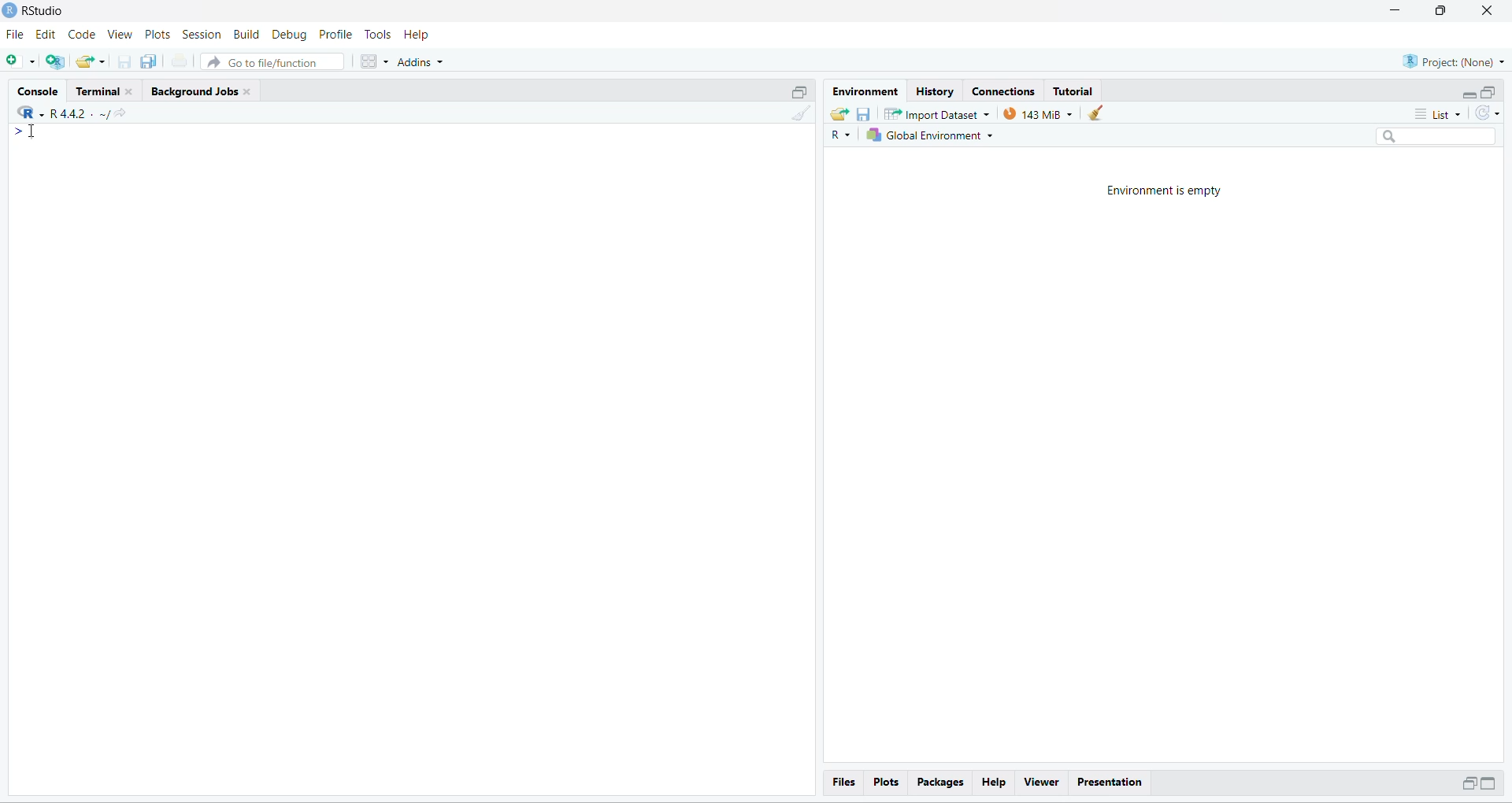 Image resolution: width=1512 pixels, height=803 pixels. Describe the element at coordinates (1110, 783) in the screenshot. I see `Presentation ` at that location.